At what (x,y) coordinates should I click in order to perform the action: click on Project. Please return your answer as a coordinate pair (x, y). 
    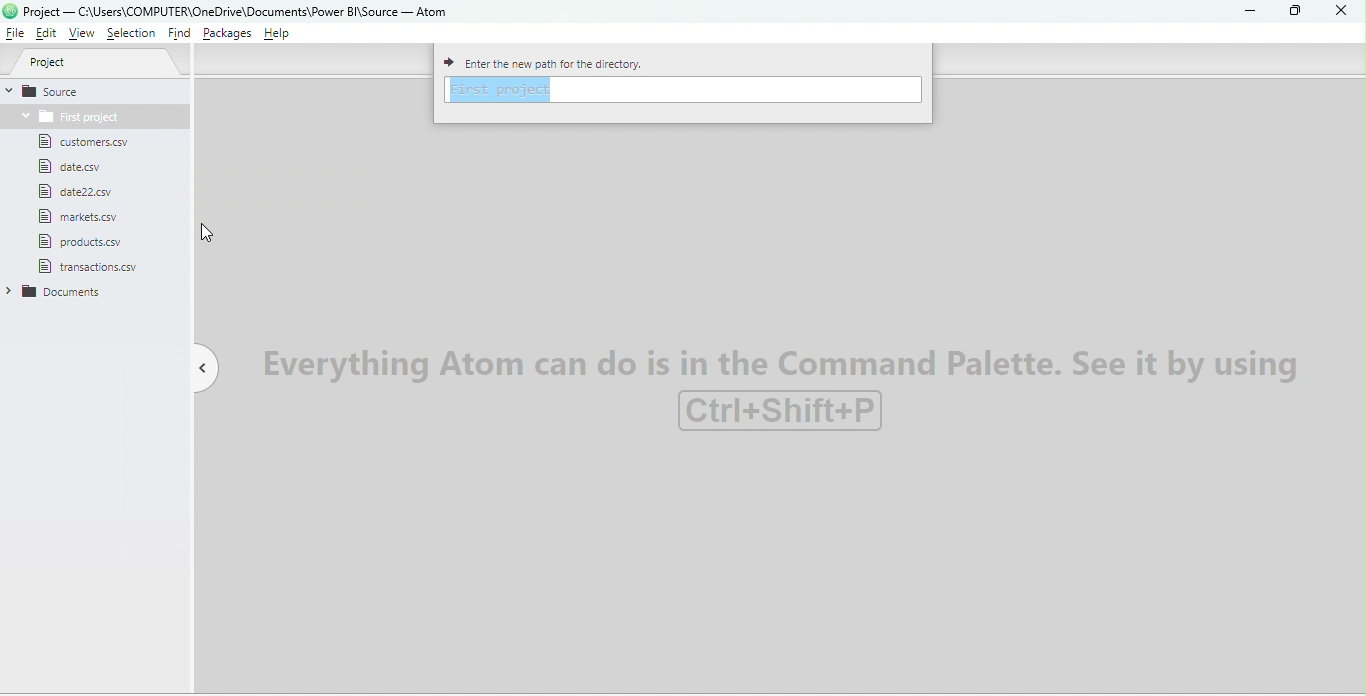
    Looking at the image, I should click on (102, 64).